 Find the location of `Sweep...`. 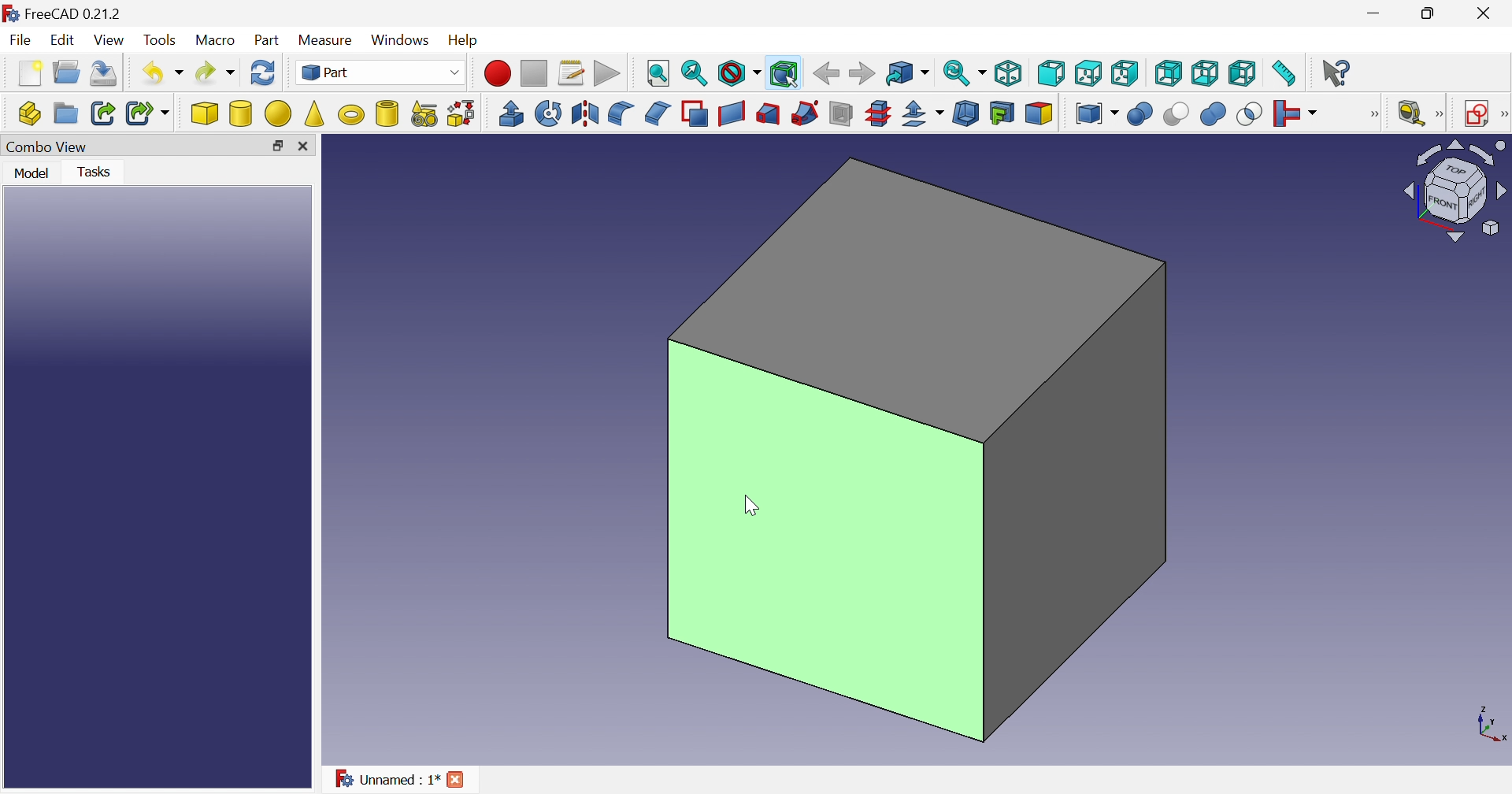

Sweep... is located at coordinates (805, 113).